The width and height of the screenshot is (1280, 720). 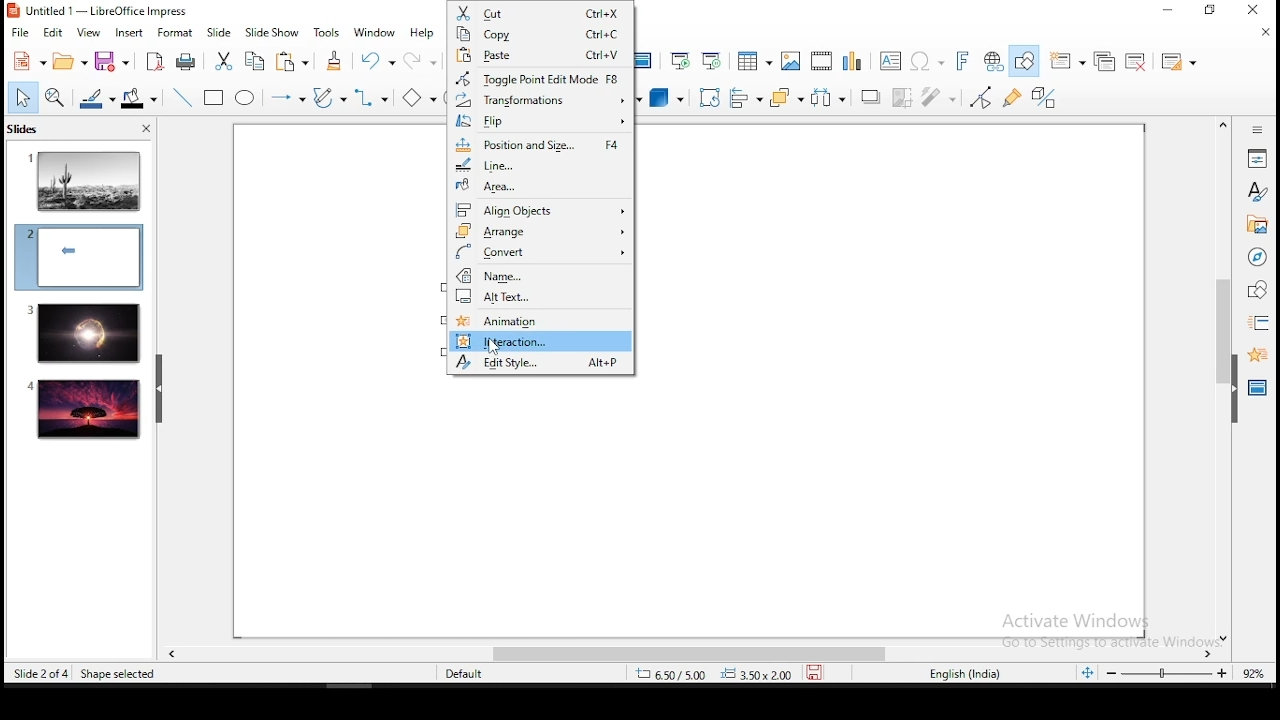 What do you see at coordinates (85, 410) in the screenshot?
I see `slide` at bounding box center [85, 410].